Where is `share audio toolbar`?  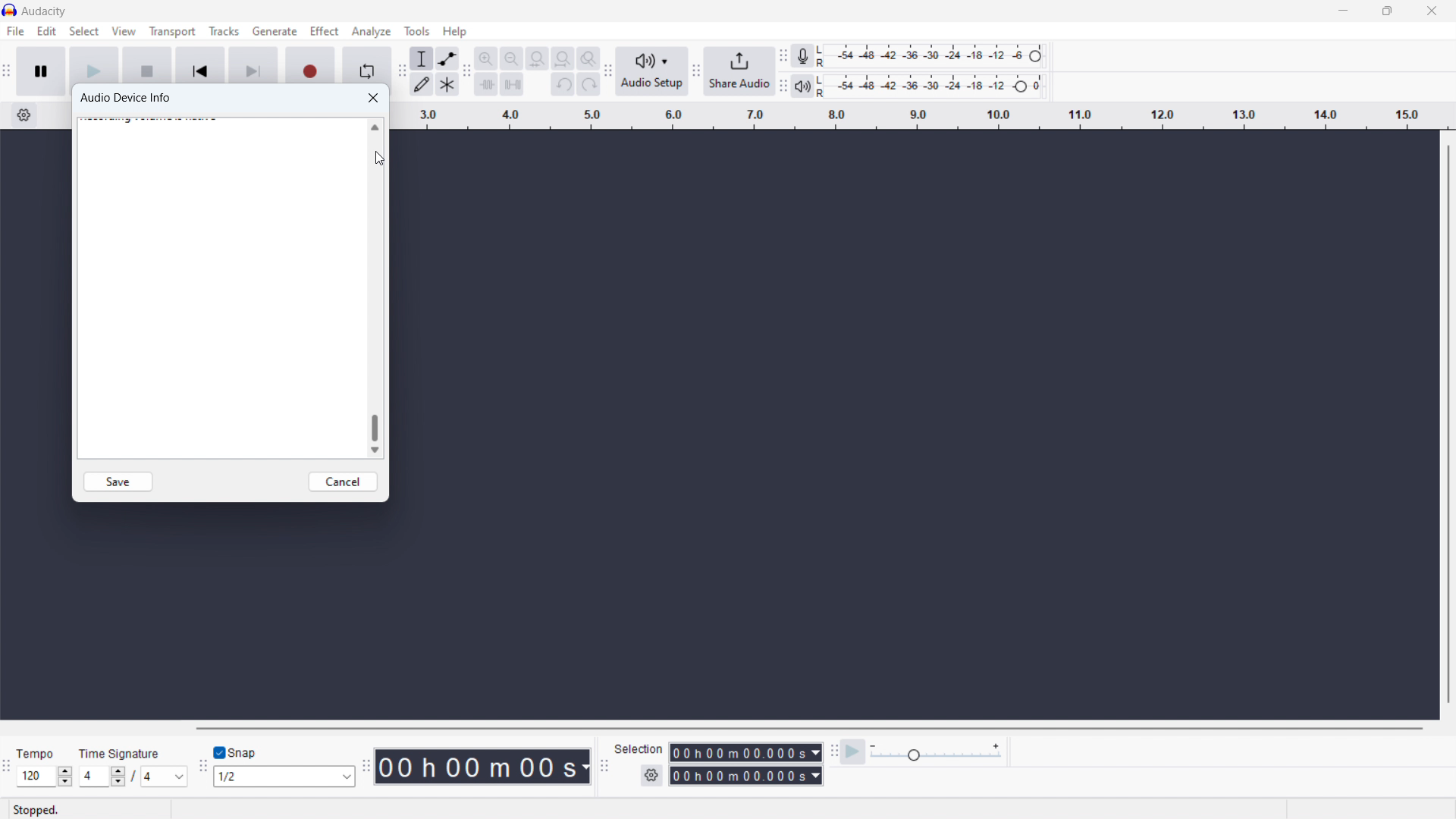
share audio toolbar is located at coordinates (698, 71).